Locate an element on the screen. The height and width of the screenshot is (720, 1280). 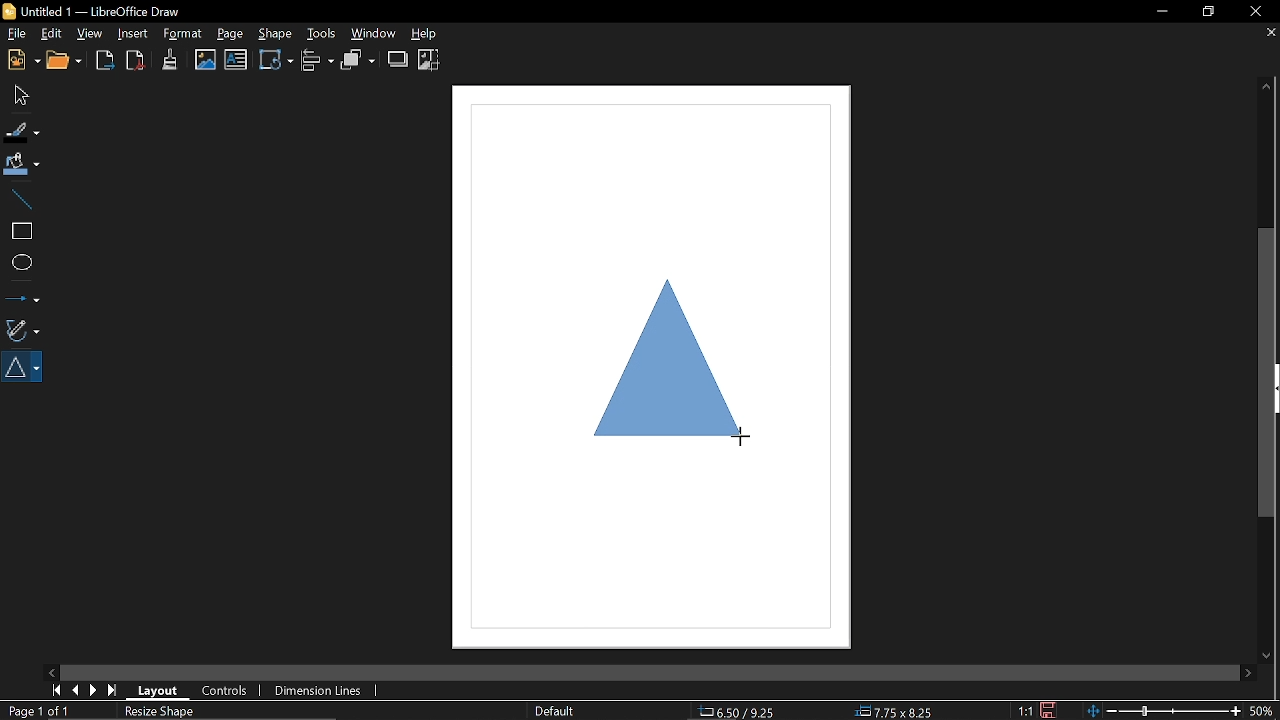
Page is located at coordinates (230, 34).